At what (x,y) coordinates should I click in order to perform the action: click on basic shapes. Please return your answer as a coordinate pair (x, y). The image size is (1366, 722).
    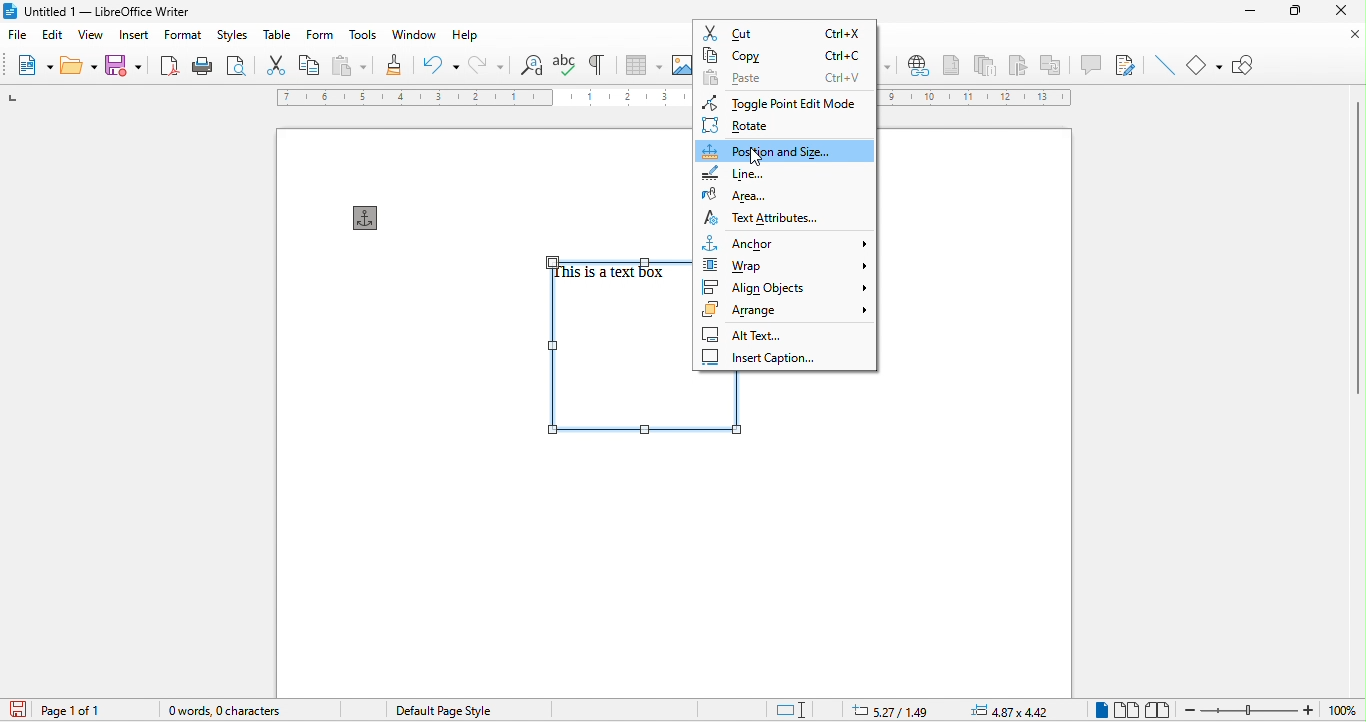
    Looking at the image, I should click on (1206, 64).